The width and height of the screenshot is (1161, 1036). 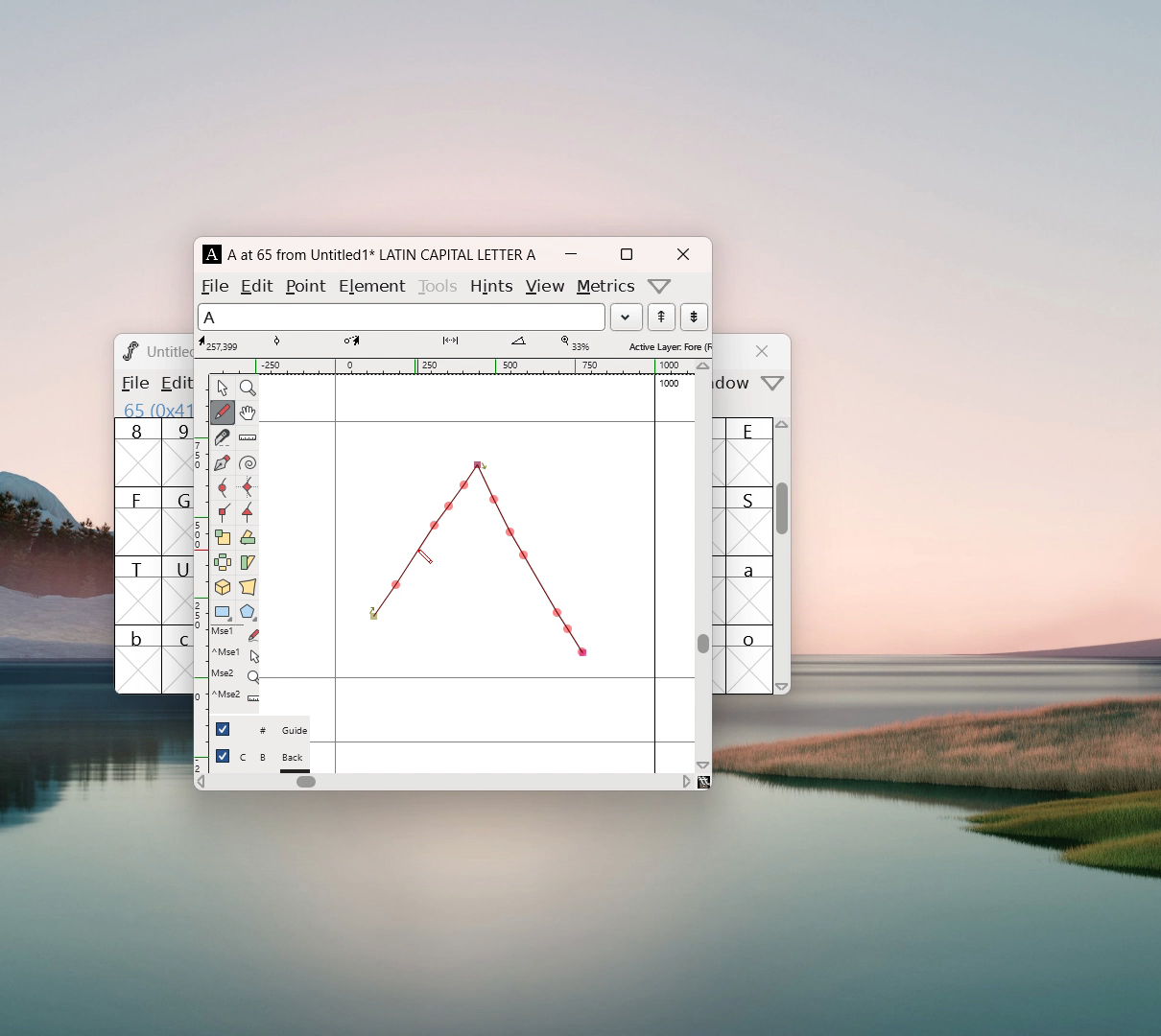 What do you see at coordinates (490, 286) in the screenshot?
I see `hints` at bounding box center [490, 286].